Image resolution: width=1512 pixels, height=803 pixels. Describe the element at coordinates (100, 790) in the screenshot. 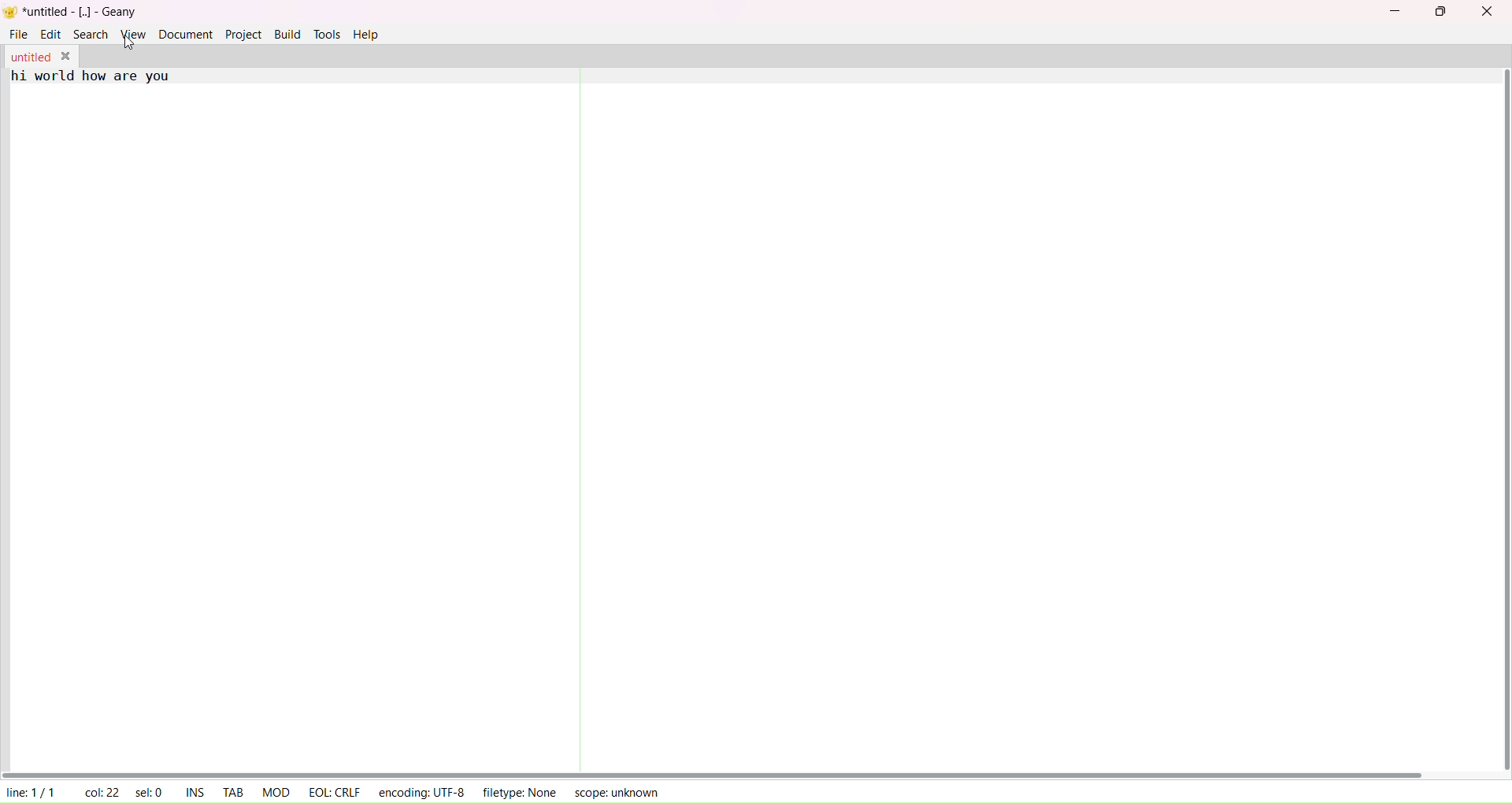

I see `column` at that location.